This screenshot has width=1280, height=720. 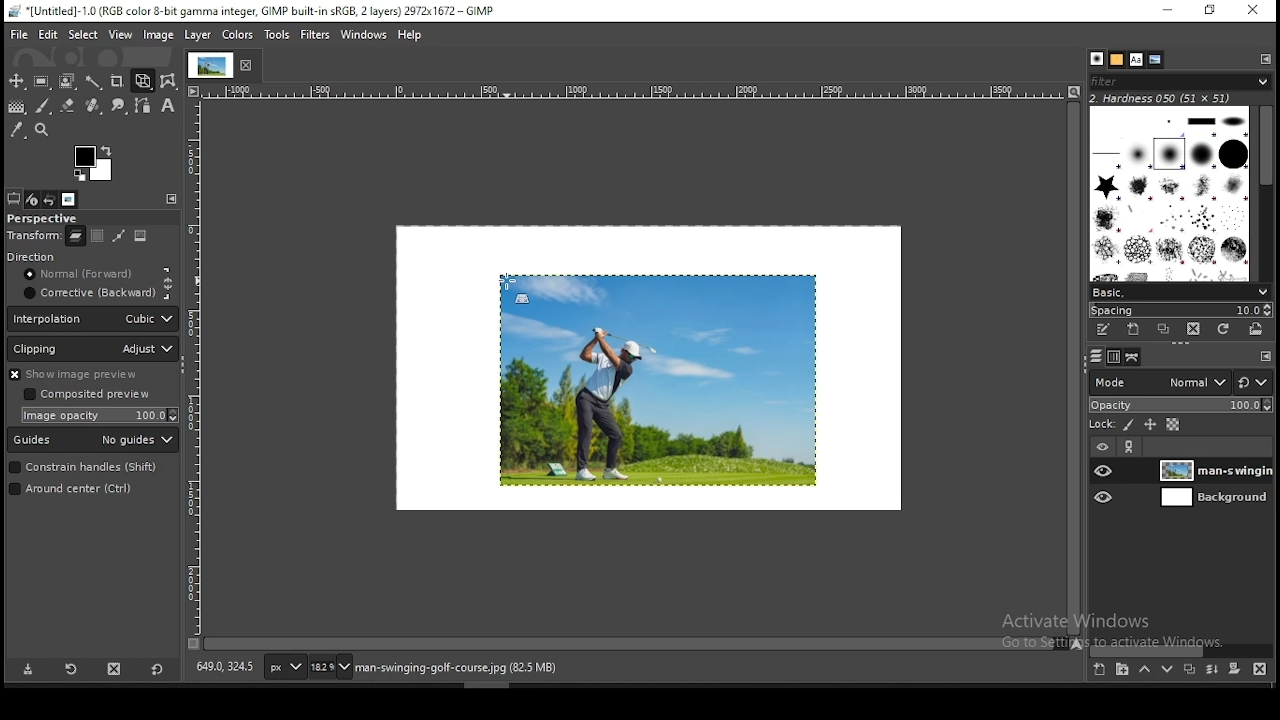 I want to click on undo history, so click(x=51, y=199).